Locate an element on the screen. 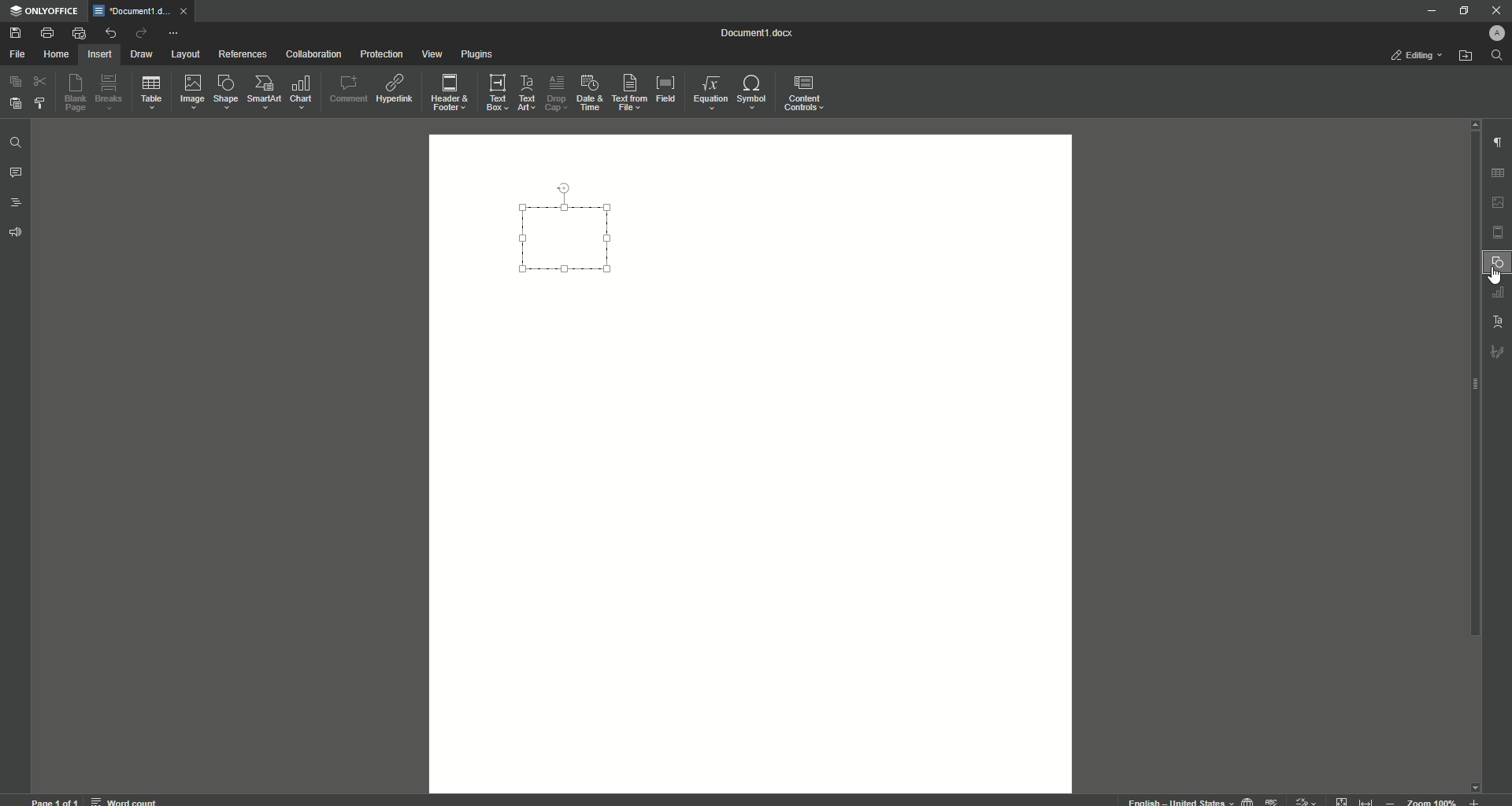 The height and width of the screenshot is (806, 1512). Breaks is located at coordinates (109, 93).